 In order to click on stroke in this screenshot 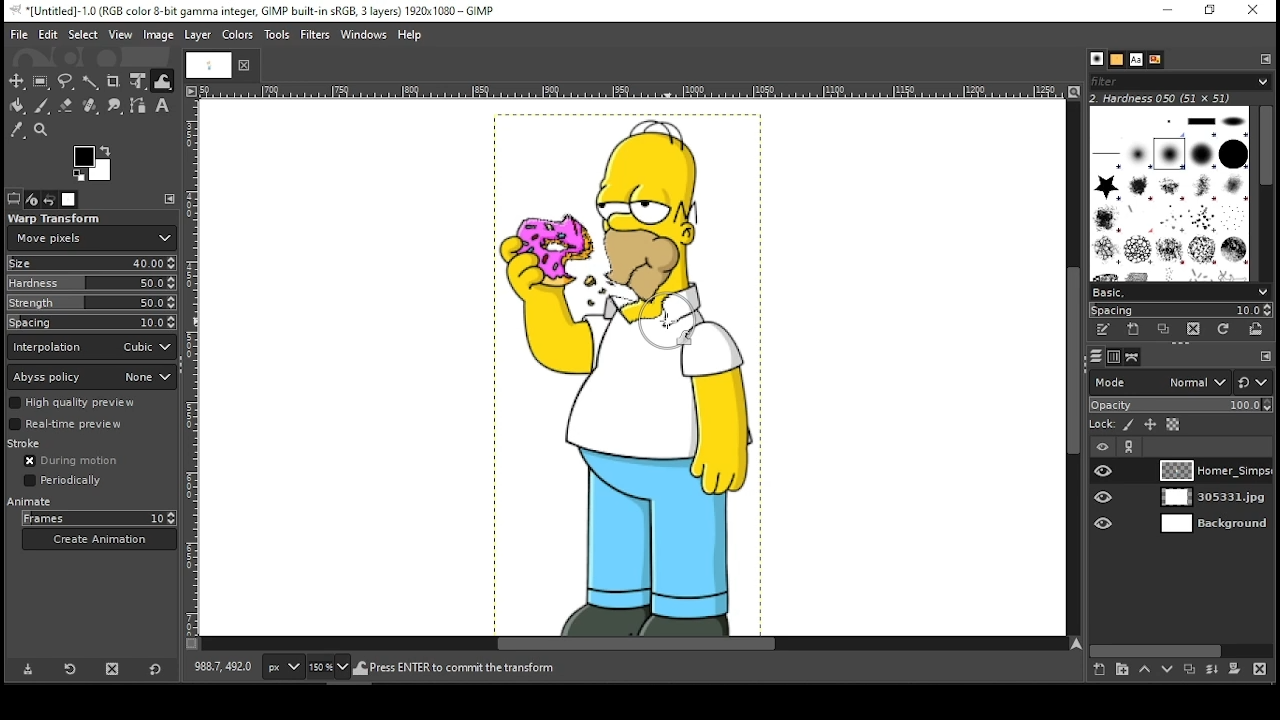, I will do `click(36, 444)`.